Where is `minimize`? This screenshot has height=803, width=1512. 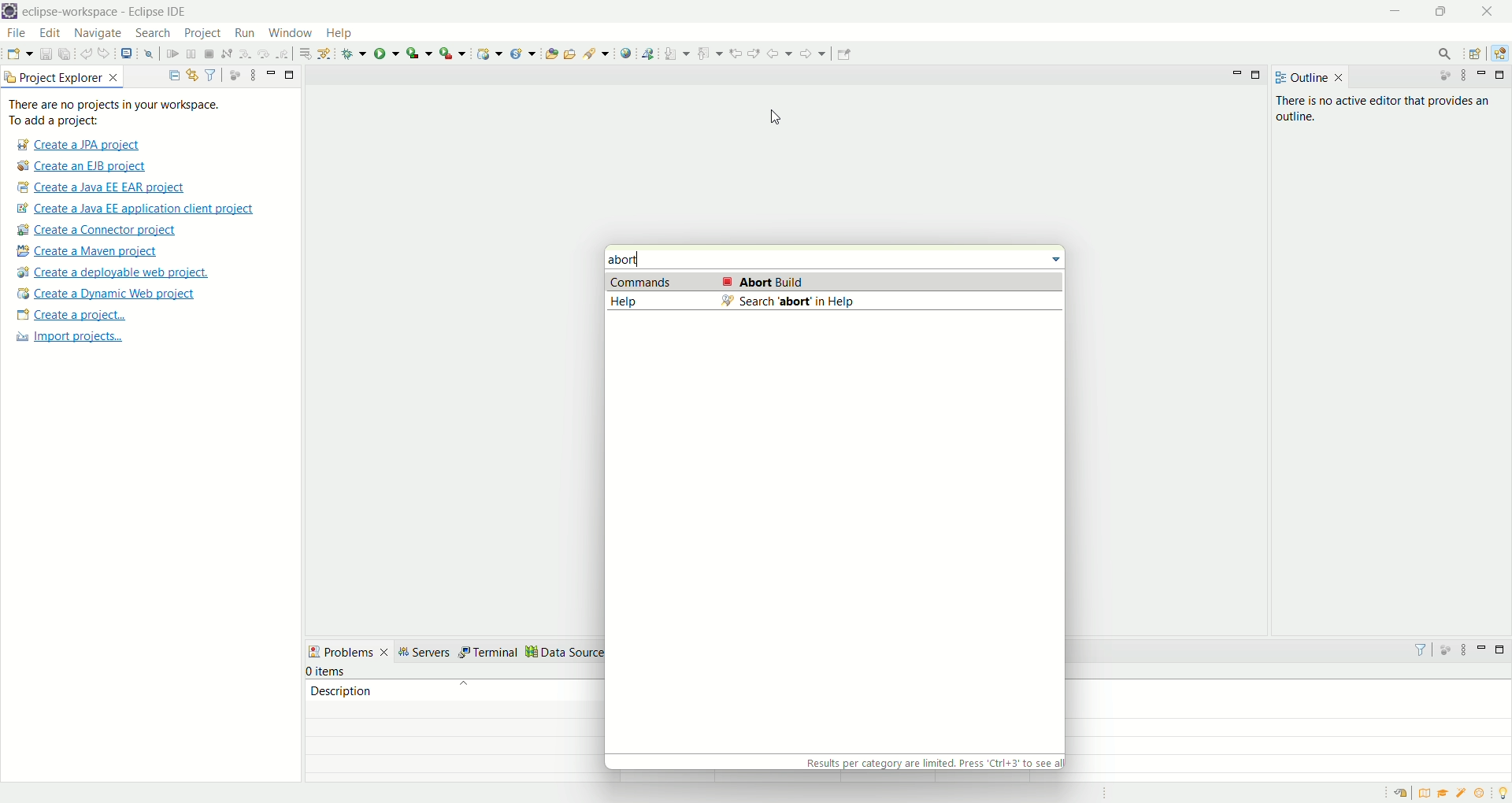 minimize is located at coordinates (1393, 9).